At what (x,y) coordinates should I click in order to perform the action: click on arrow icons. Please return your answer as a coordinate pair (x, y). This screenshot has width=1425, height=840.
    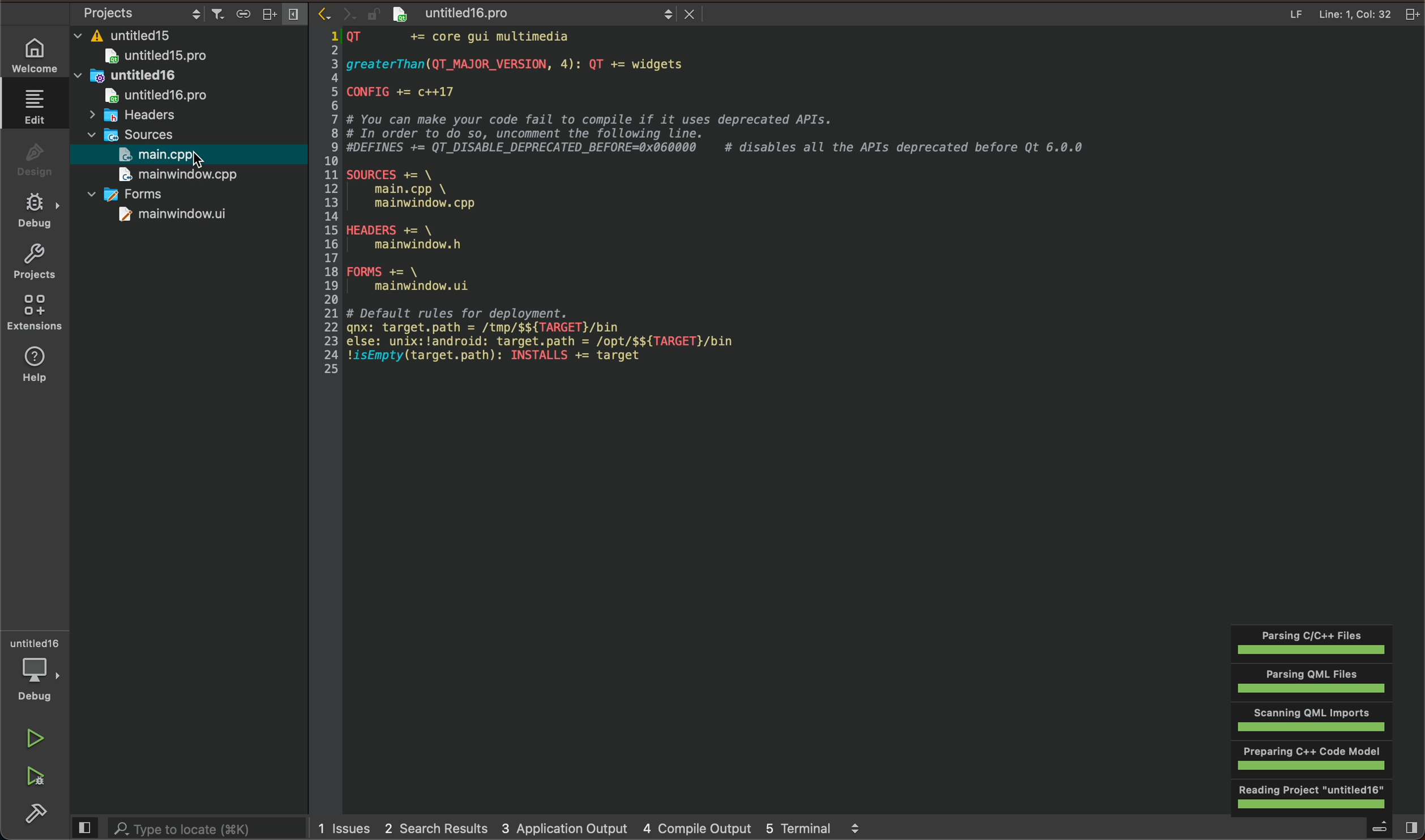
    Looking at the image, I should click on (336, 12).